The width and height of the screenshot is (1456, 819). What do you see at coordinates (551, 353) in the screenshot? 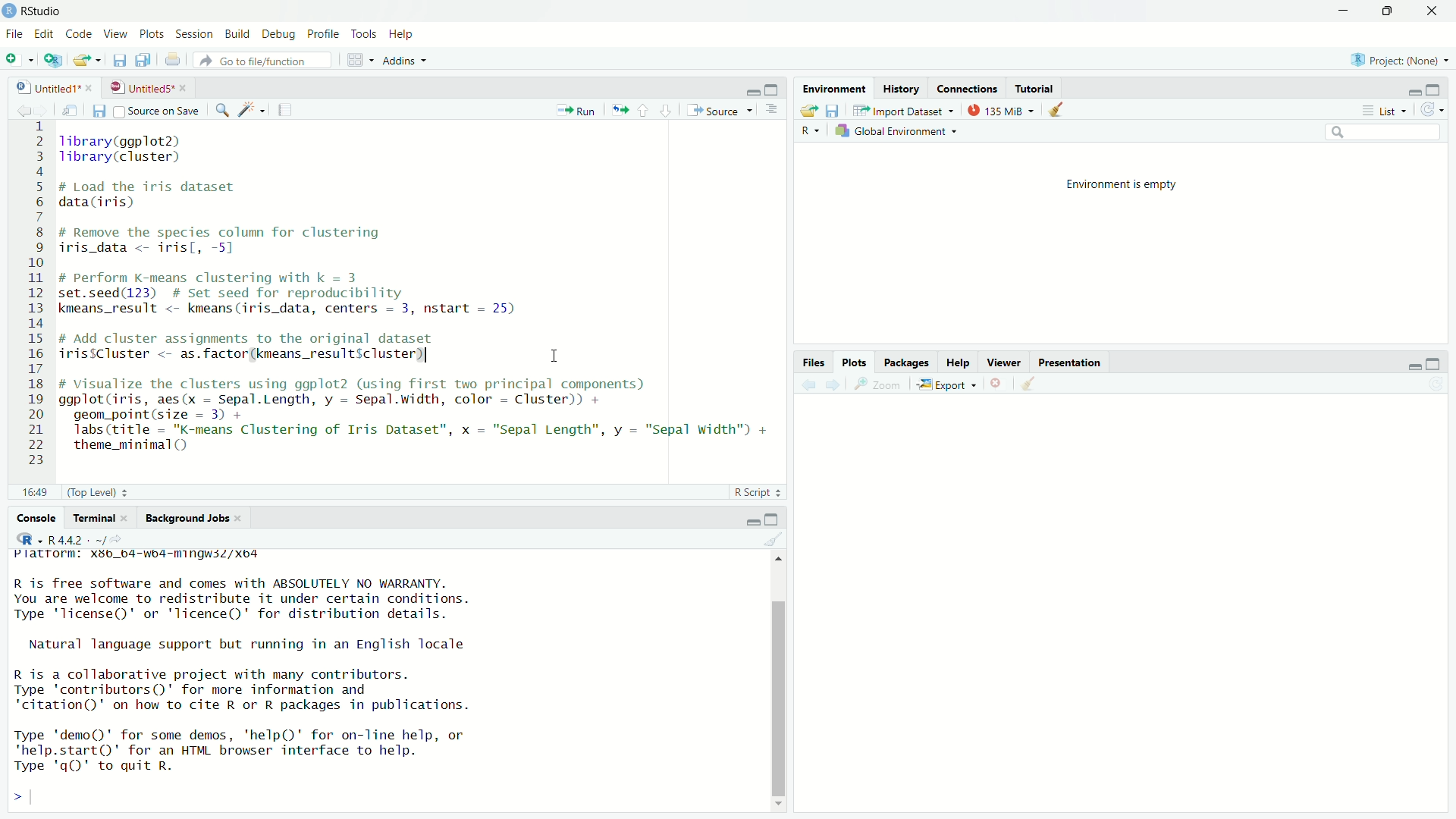
I see `cursor` at bounding box center [551, 353].